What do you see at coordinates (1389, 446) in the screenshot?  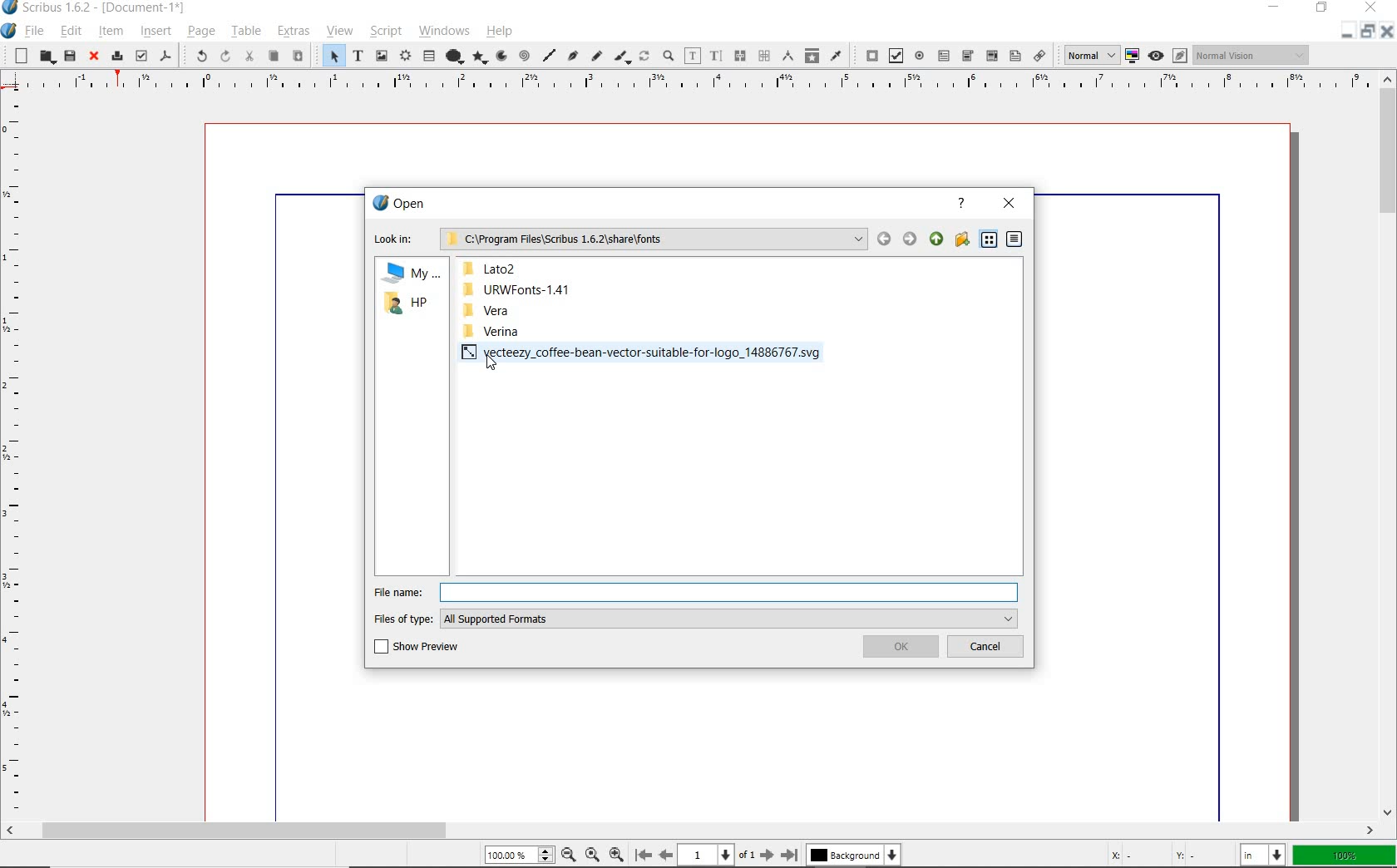 I see `scrollbar` at bounding box center [1389, 446].